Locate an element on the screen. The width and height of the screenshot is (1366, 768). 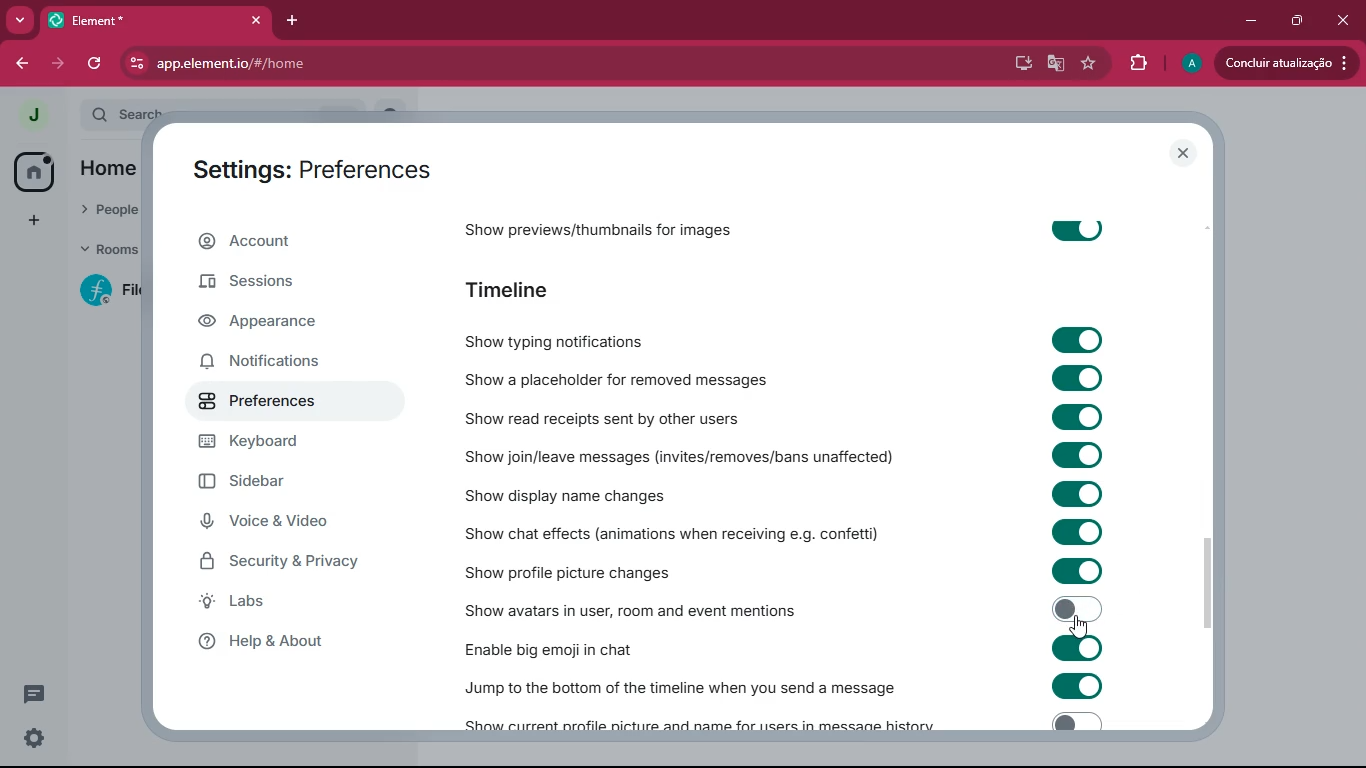
desktop is located at coordinates (1021, 64).